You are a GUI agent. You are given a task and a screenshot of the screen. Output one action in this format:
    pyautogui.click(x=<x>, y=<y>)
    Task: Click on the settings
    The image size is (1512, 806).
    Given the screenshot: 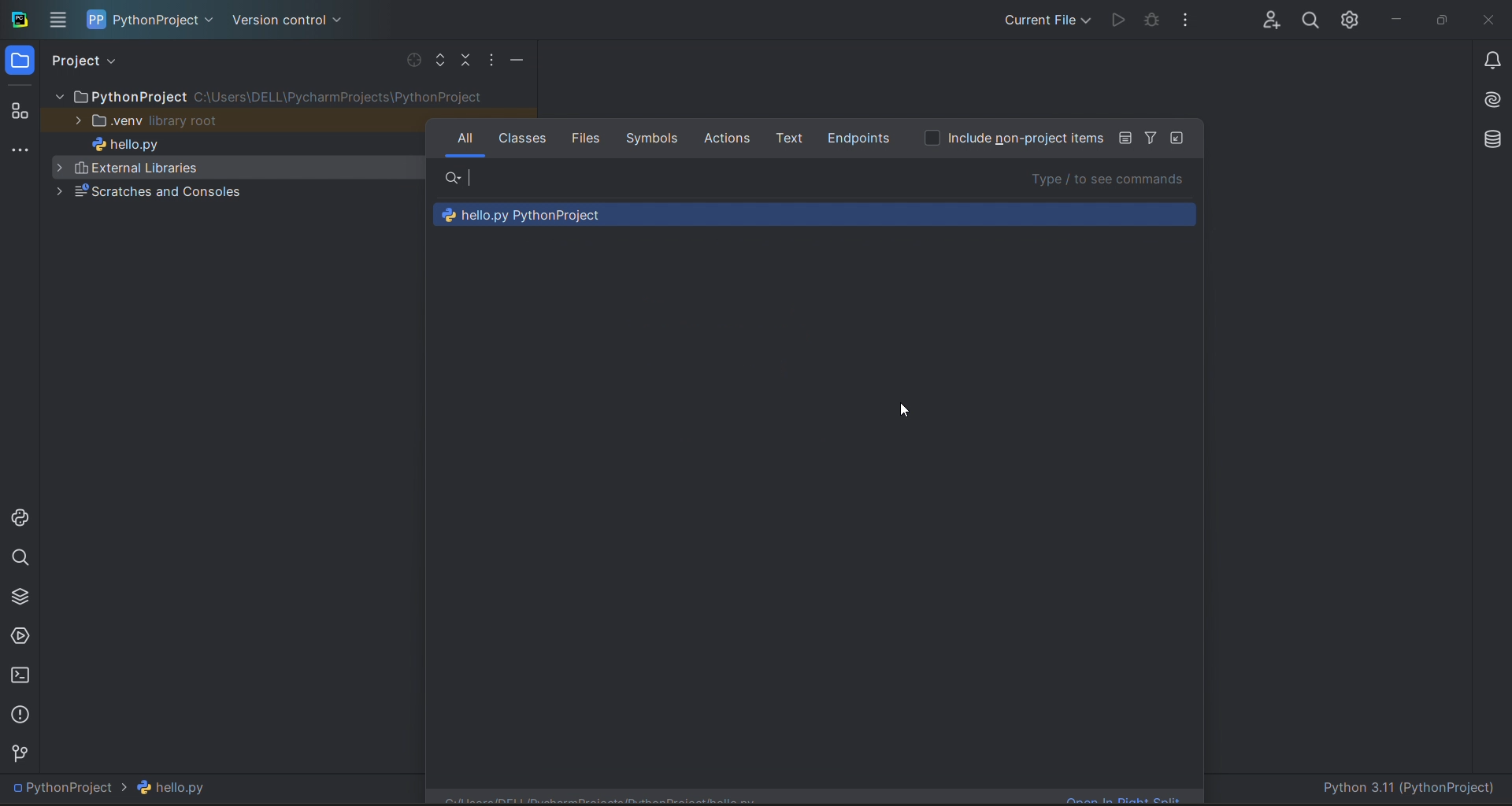 What is the action you would take?
    pyautogui.click(x=1351, y=17)
    